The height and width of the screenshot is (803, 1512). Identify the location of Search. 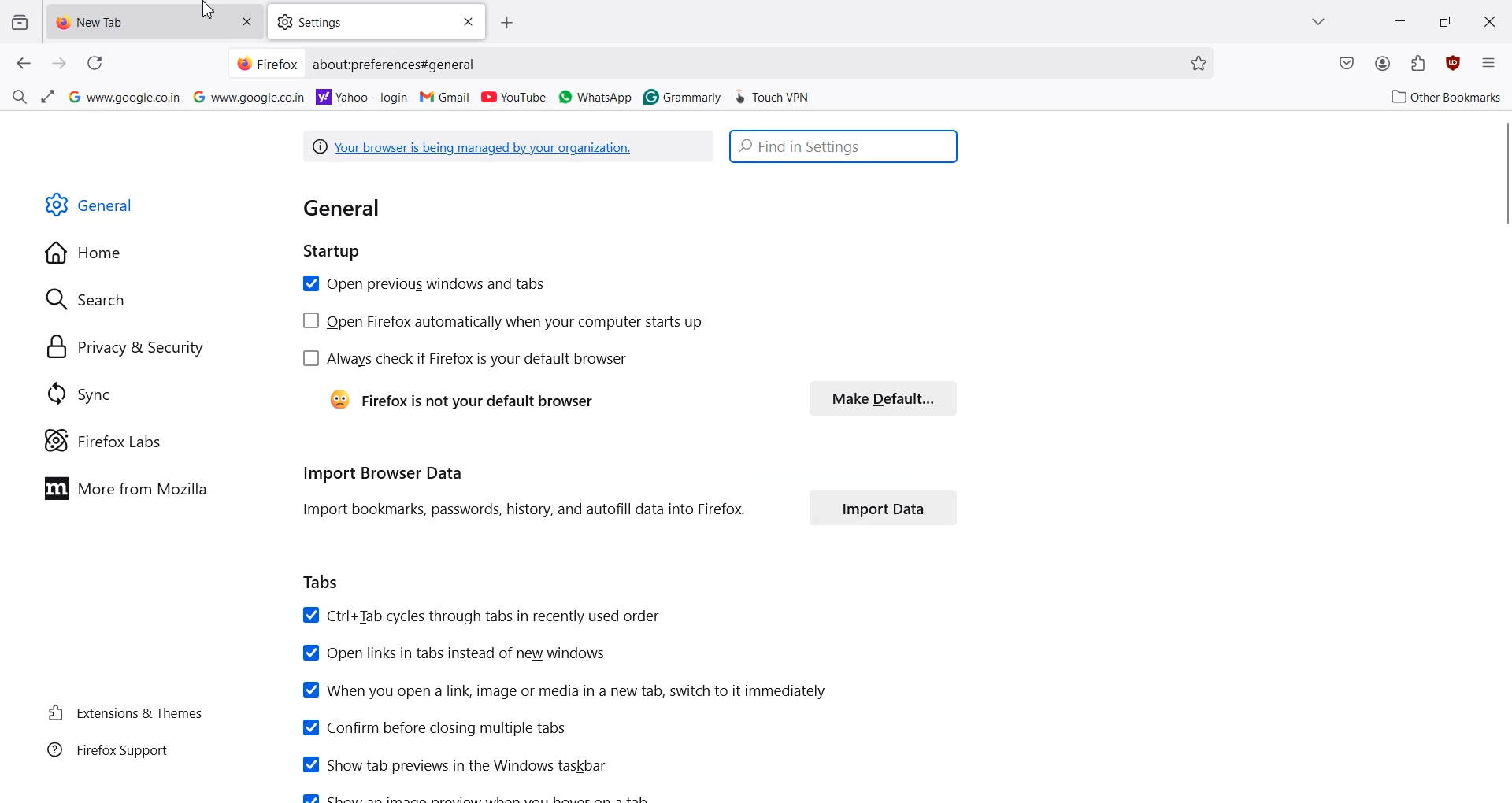
(87, 298).